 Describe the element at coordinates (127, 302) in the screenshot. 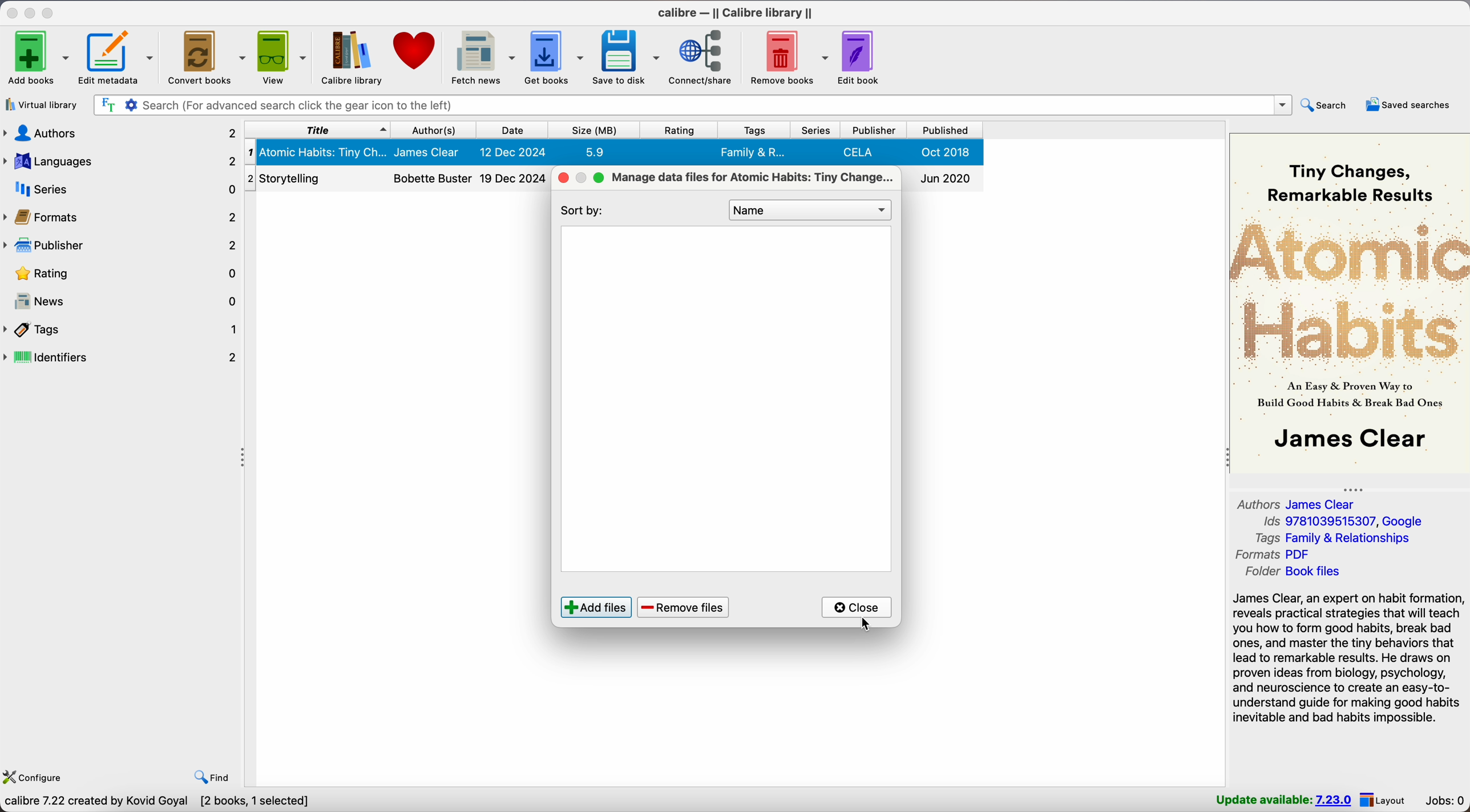

I see `news` at that location.